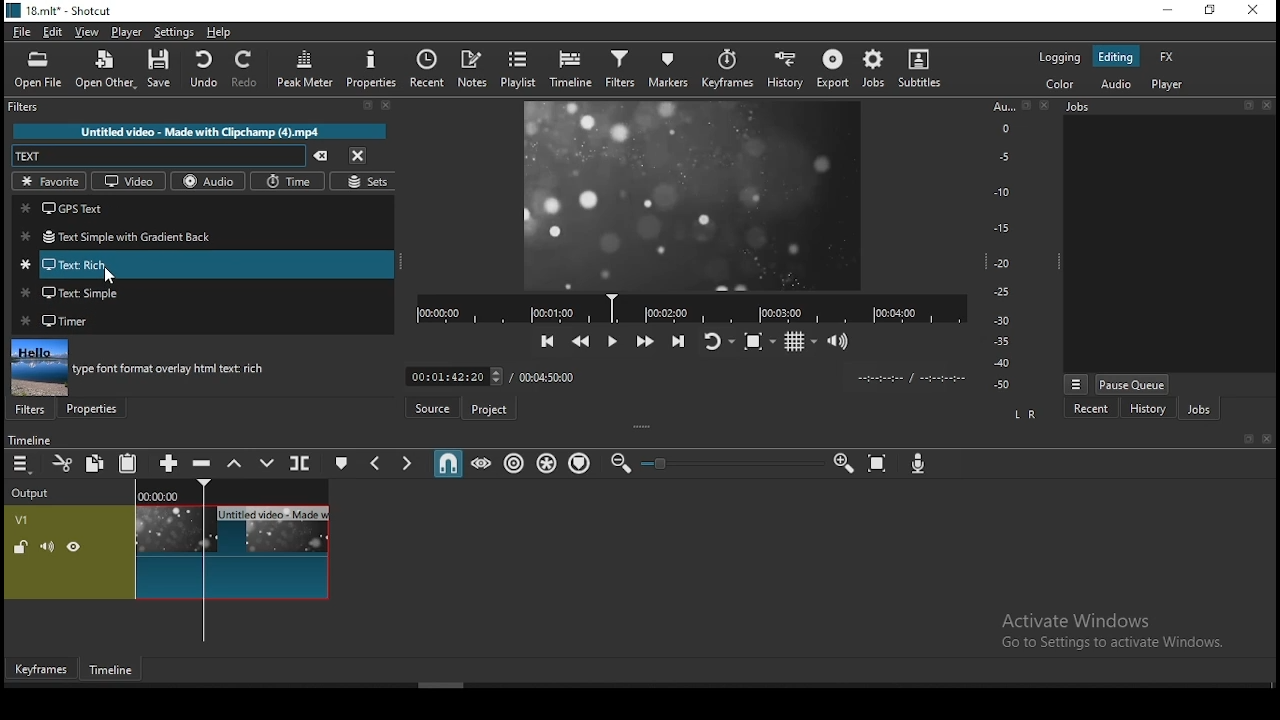  Describe the element at coordinates (919, 464) in the screenshot. I see `record audio` at that location.